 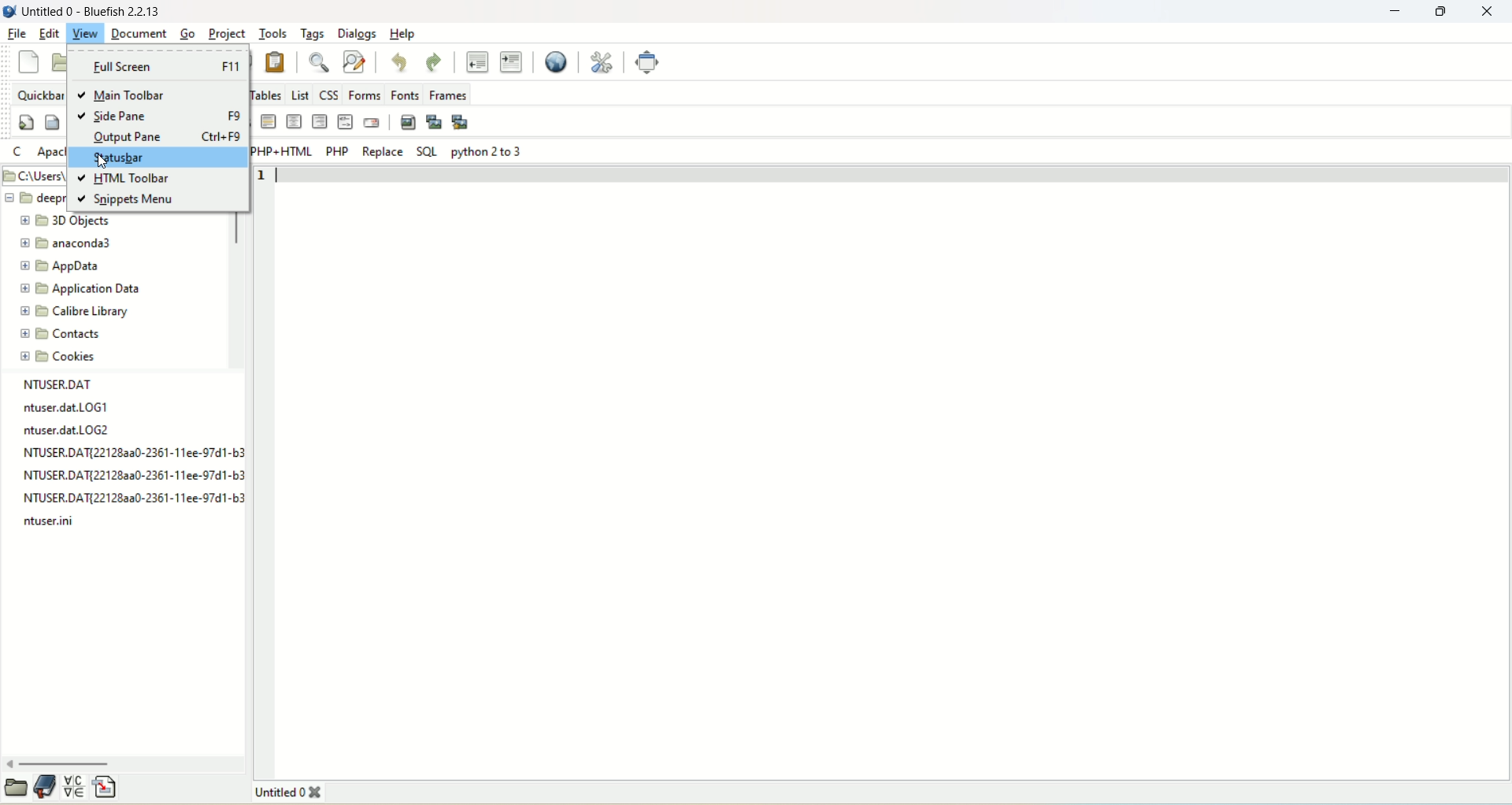 I want to click on output pane, so click(x=167, y=137).